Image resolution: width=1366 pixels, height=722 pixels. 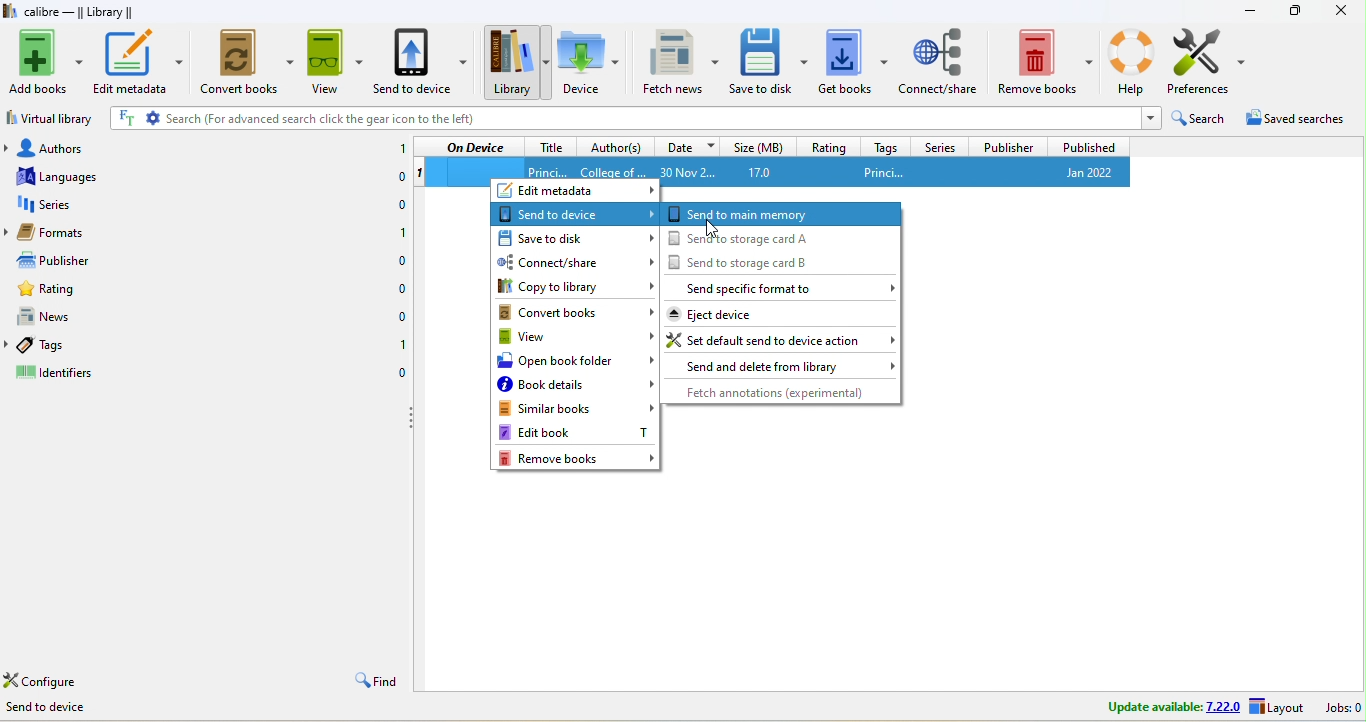 What do you see at coordinates (576, 410) in the screenshot?
I see `similar books` at bounding box center [576, 410].